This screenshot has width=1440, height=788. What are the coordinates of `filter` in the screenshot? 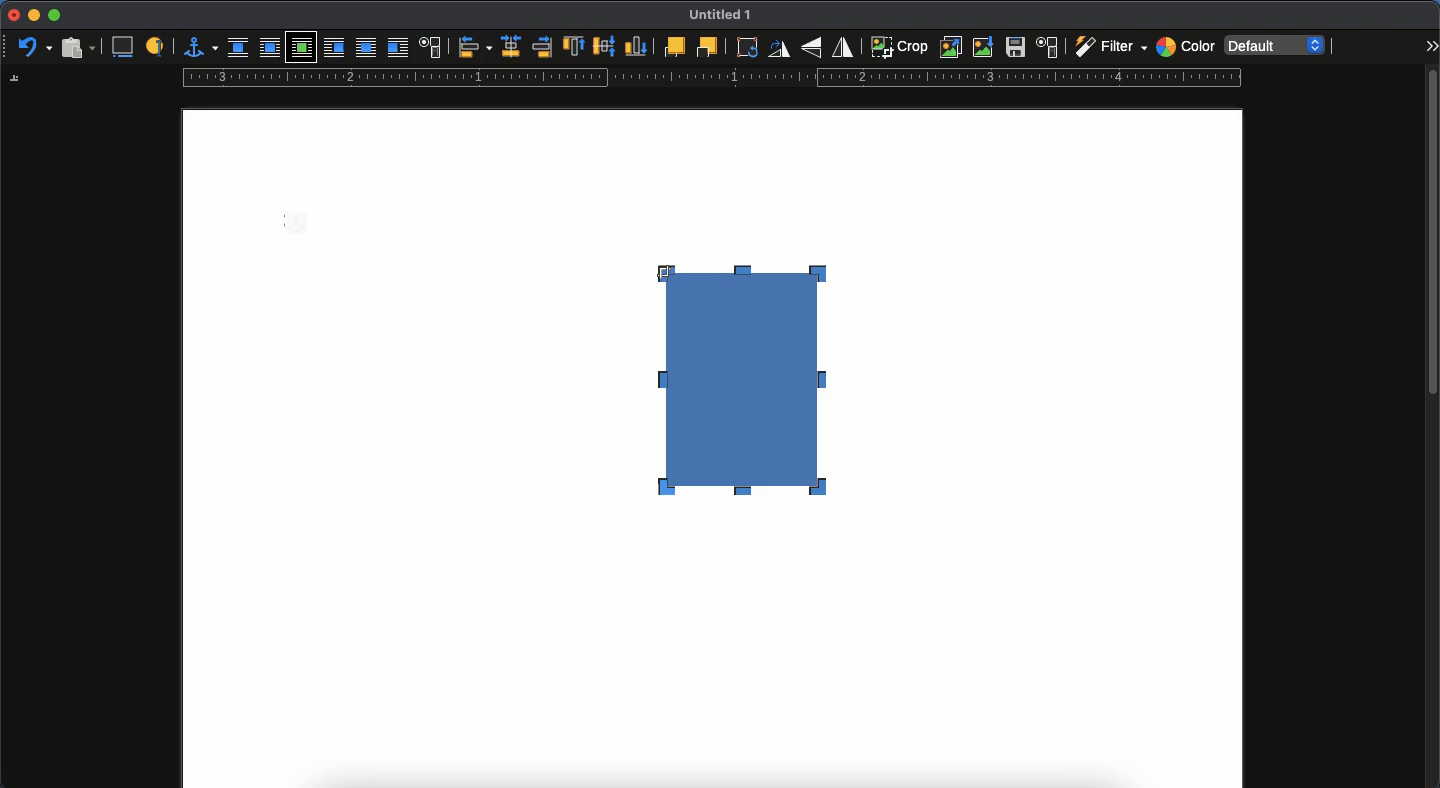 It's located at (1109, 47).